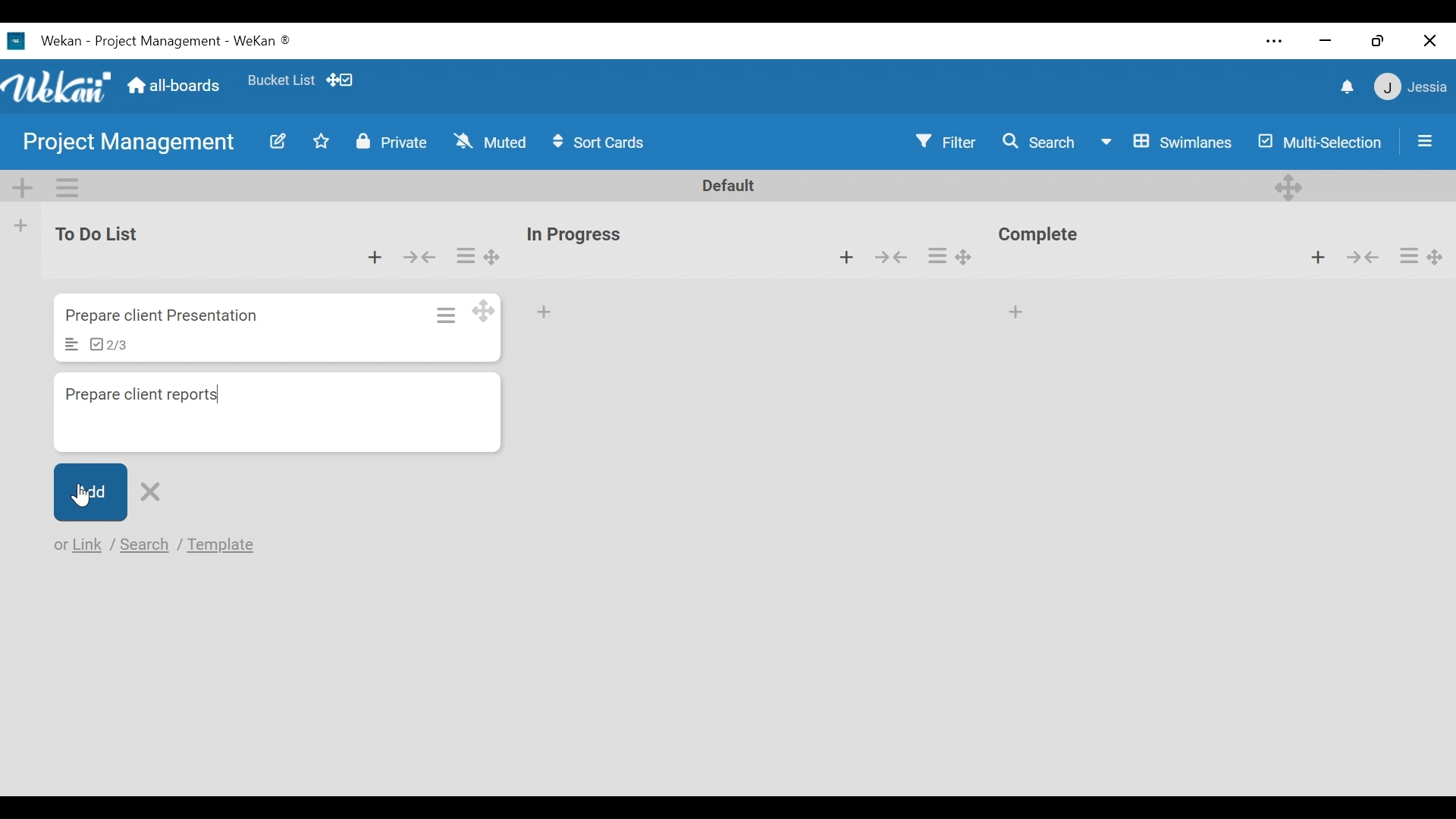 The width and height of the screenshot is (1456, 819). I want to click on Desktop drag handles, so click(485, 311).